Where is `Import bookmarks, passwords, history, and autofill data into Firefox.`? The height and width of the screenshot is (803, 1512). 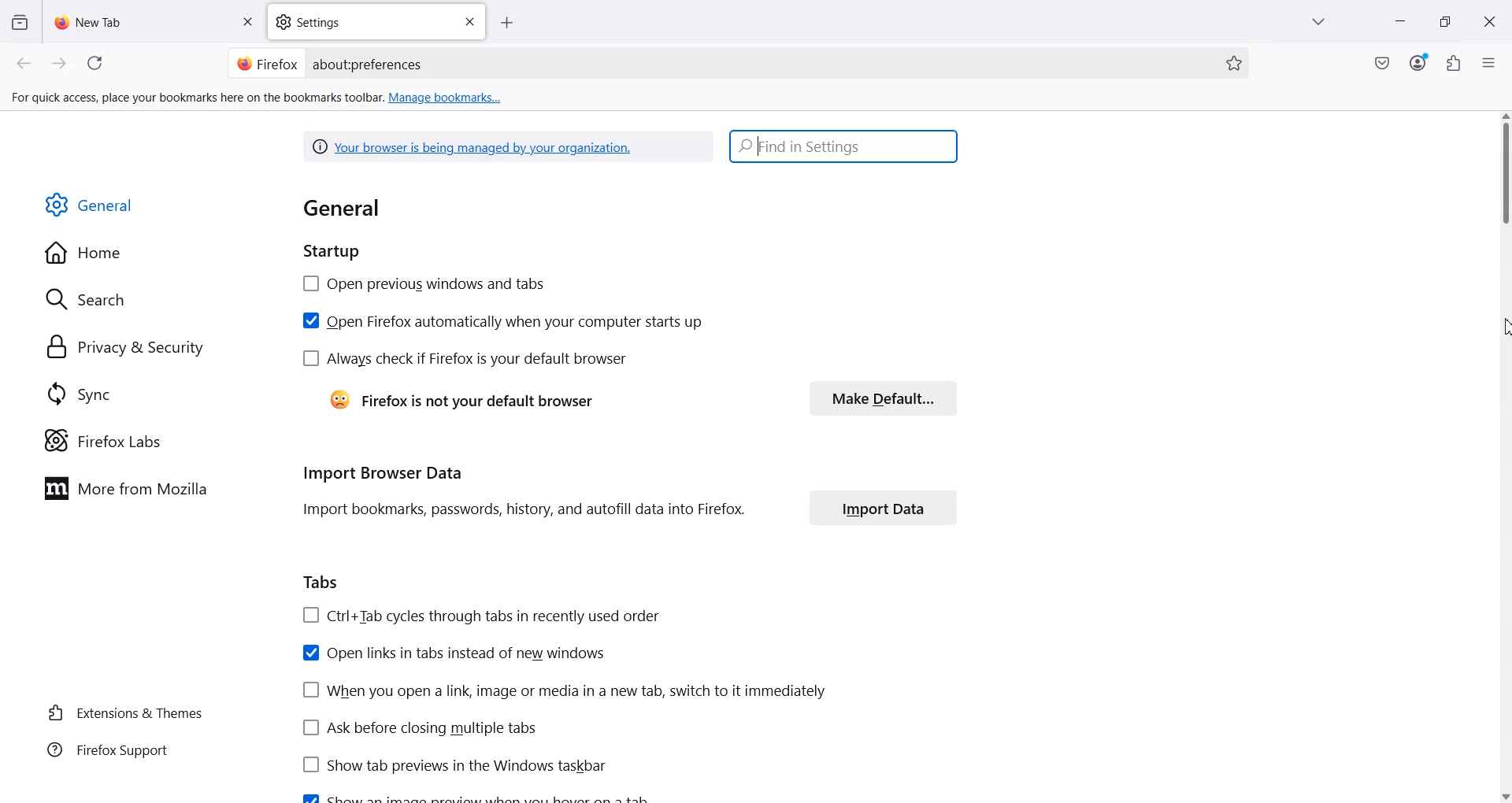
Import bookmarks, passwords, history, and autofill data into Firefox. is located at coordinates (525, 511).